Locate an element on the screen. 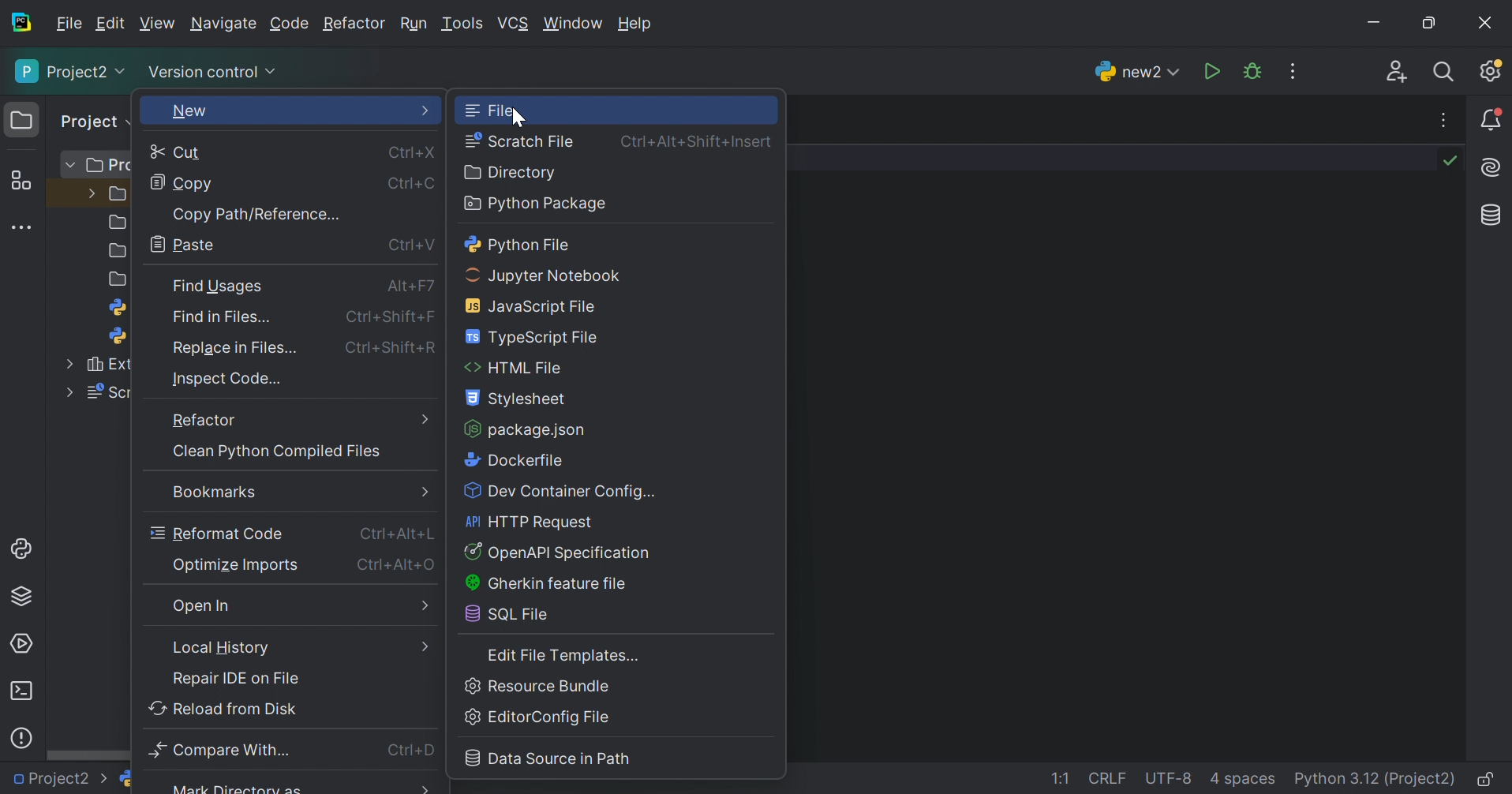 Image resolution: width=1512 pixels, height=794 pixels. Directory is located at coordinates (512, 172).